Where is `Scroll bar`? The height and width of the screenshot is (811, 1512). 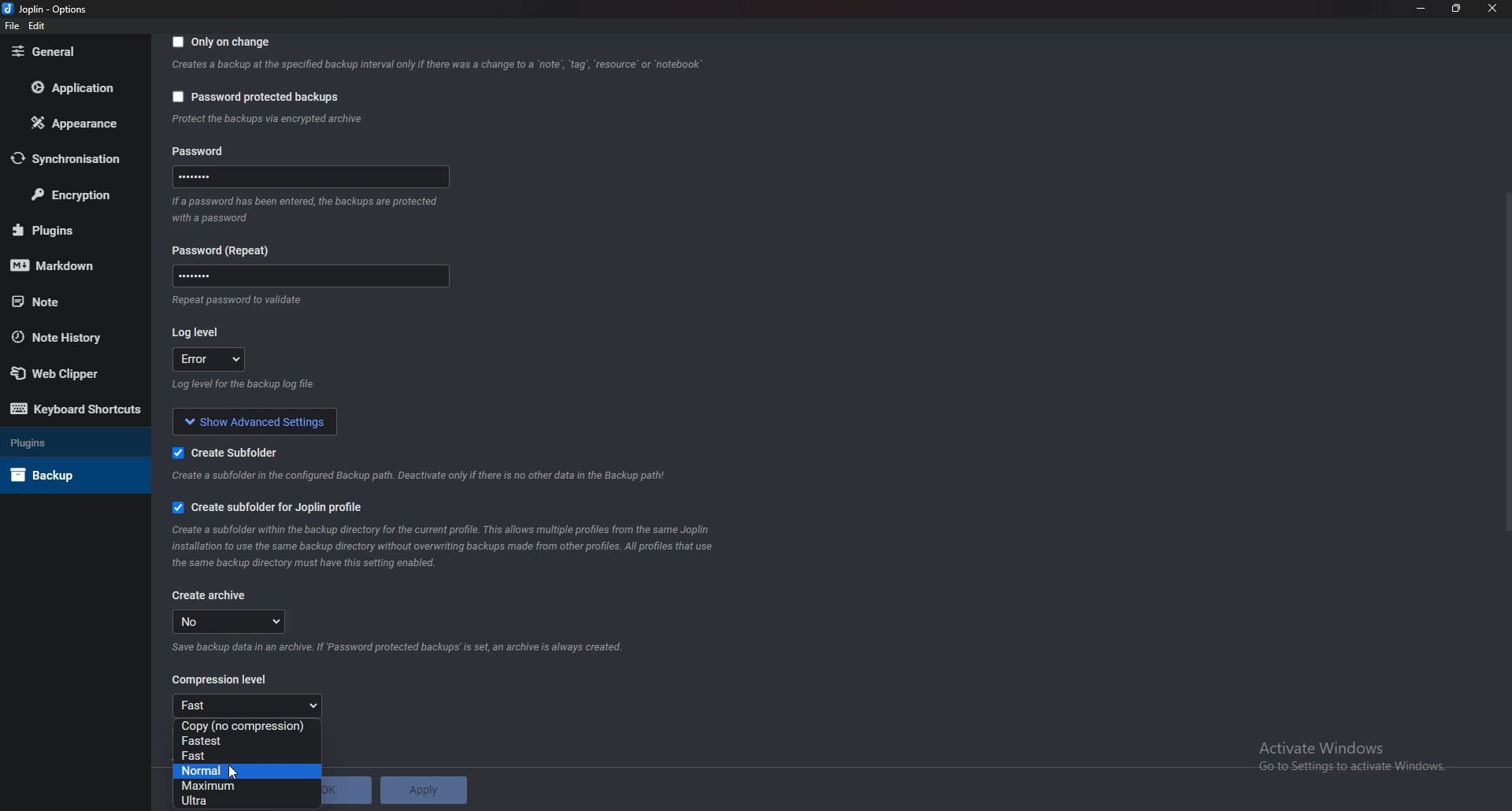
Scroll bar is located at coordinates (1507, 361).